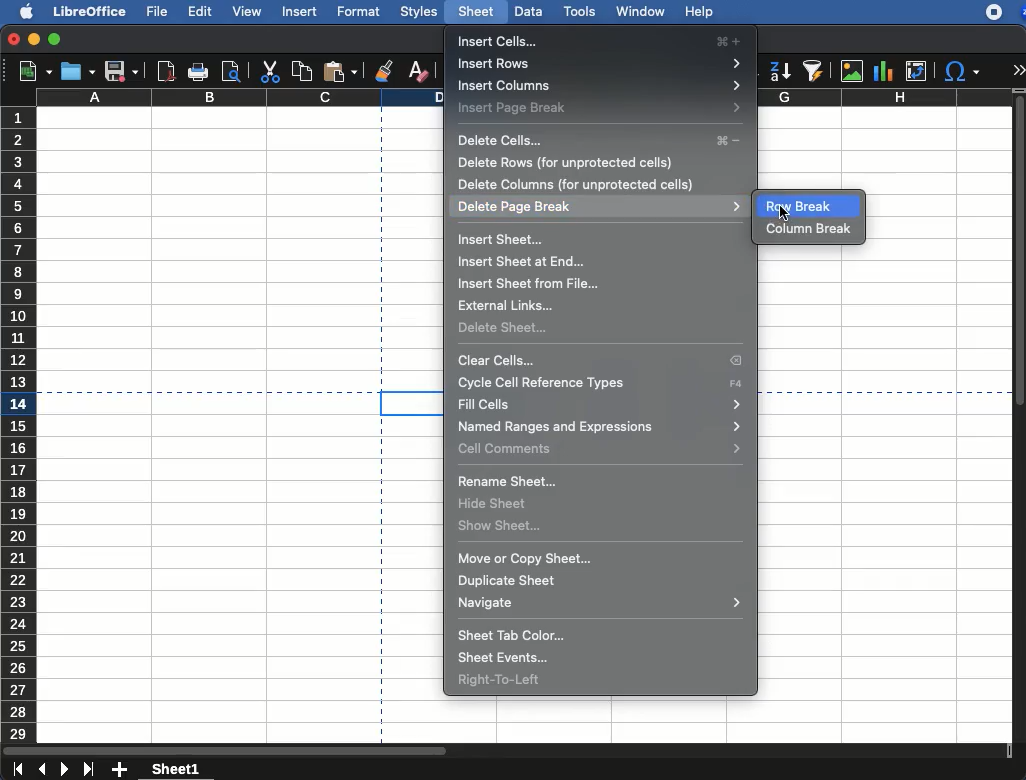  Describe the element at coordinates (381, 244) in the screenshot. I see `page break` at that location.